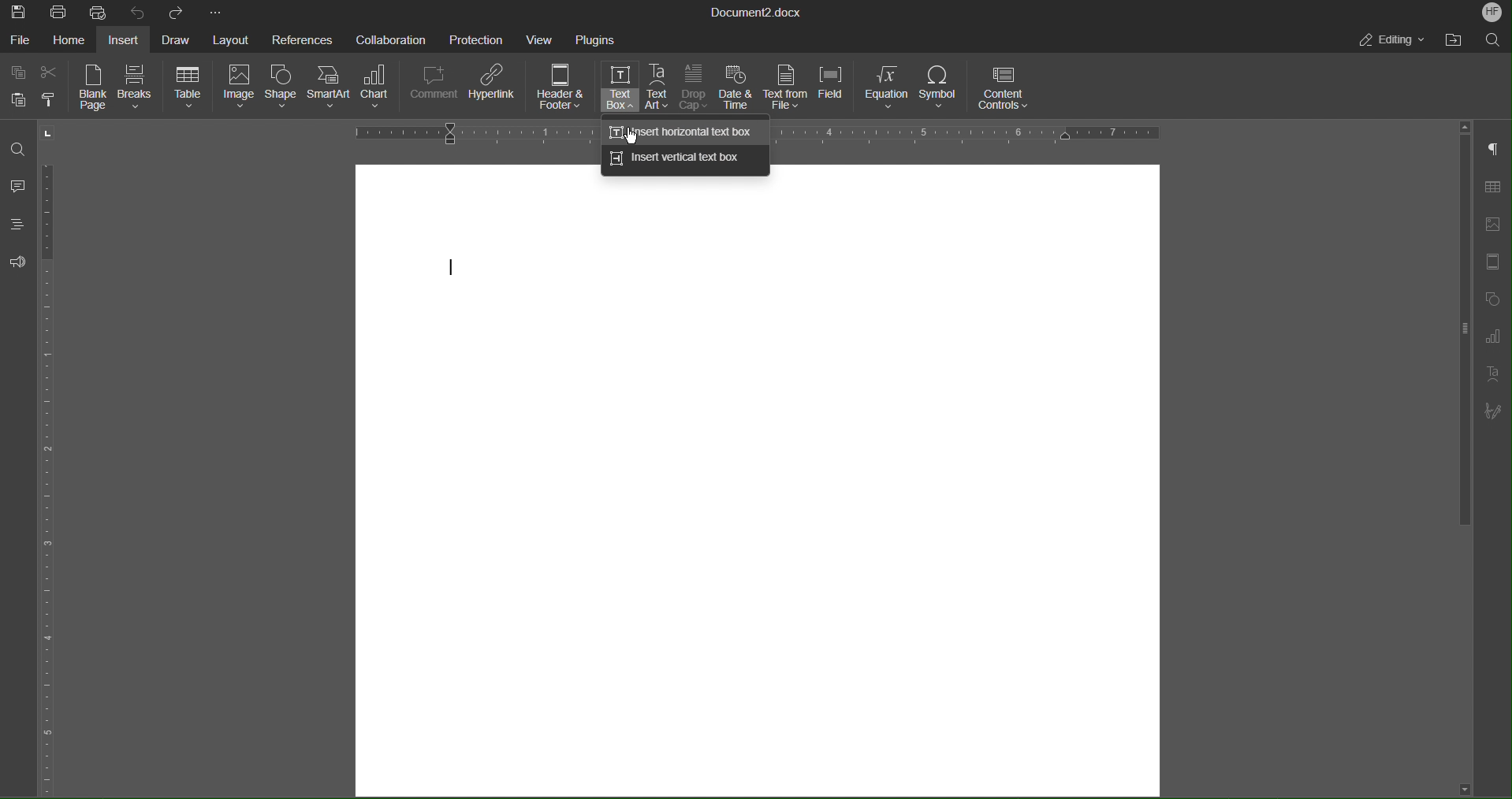 The height and width of the screenshot is (799, 1512). Describe the element at coordinates (620, 87) in the screenshot. I see `Text Box` at that location.